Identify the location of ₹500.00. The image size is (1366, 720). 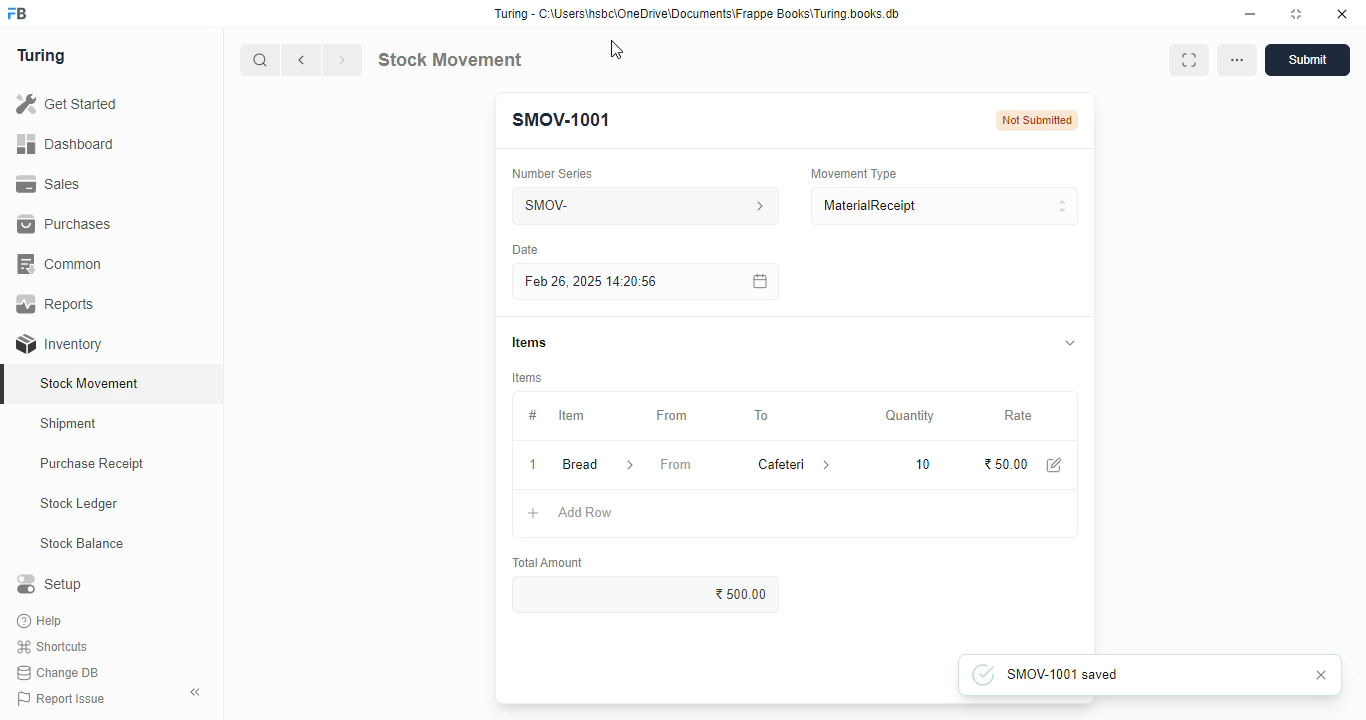
(647, 594).